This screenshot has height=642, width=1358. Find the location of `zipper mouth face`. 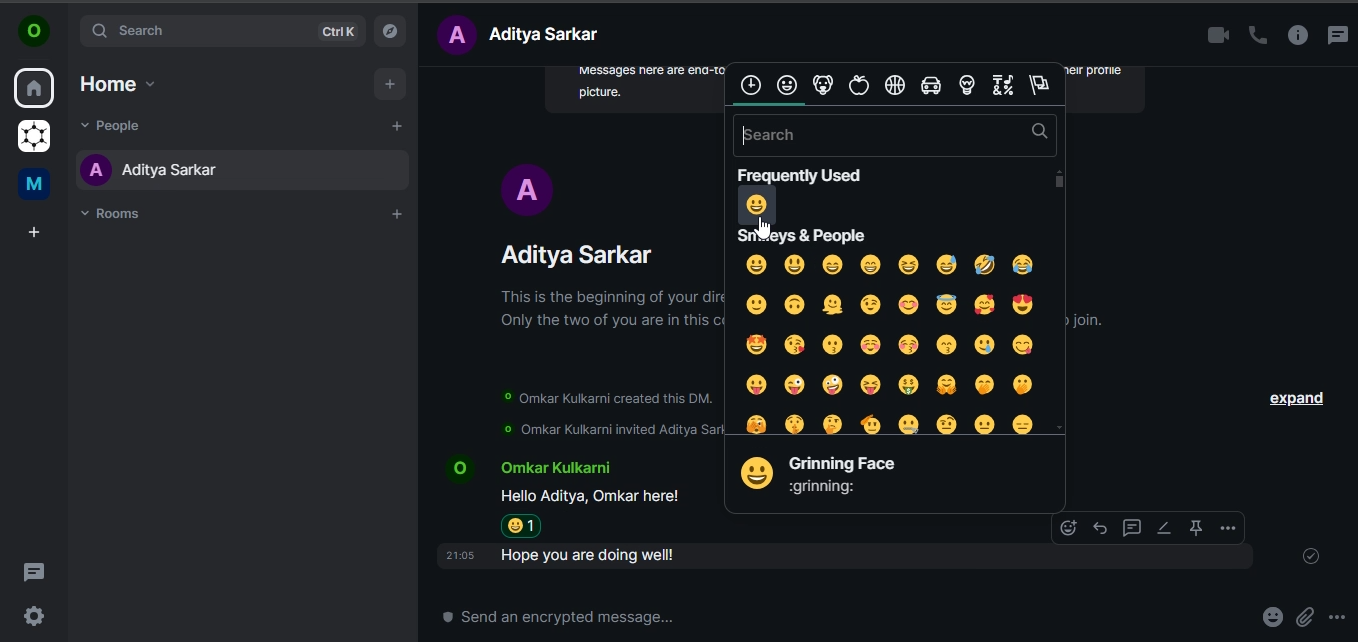

zipper mouth face is located at coordinates (909, 425).